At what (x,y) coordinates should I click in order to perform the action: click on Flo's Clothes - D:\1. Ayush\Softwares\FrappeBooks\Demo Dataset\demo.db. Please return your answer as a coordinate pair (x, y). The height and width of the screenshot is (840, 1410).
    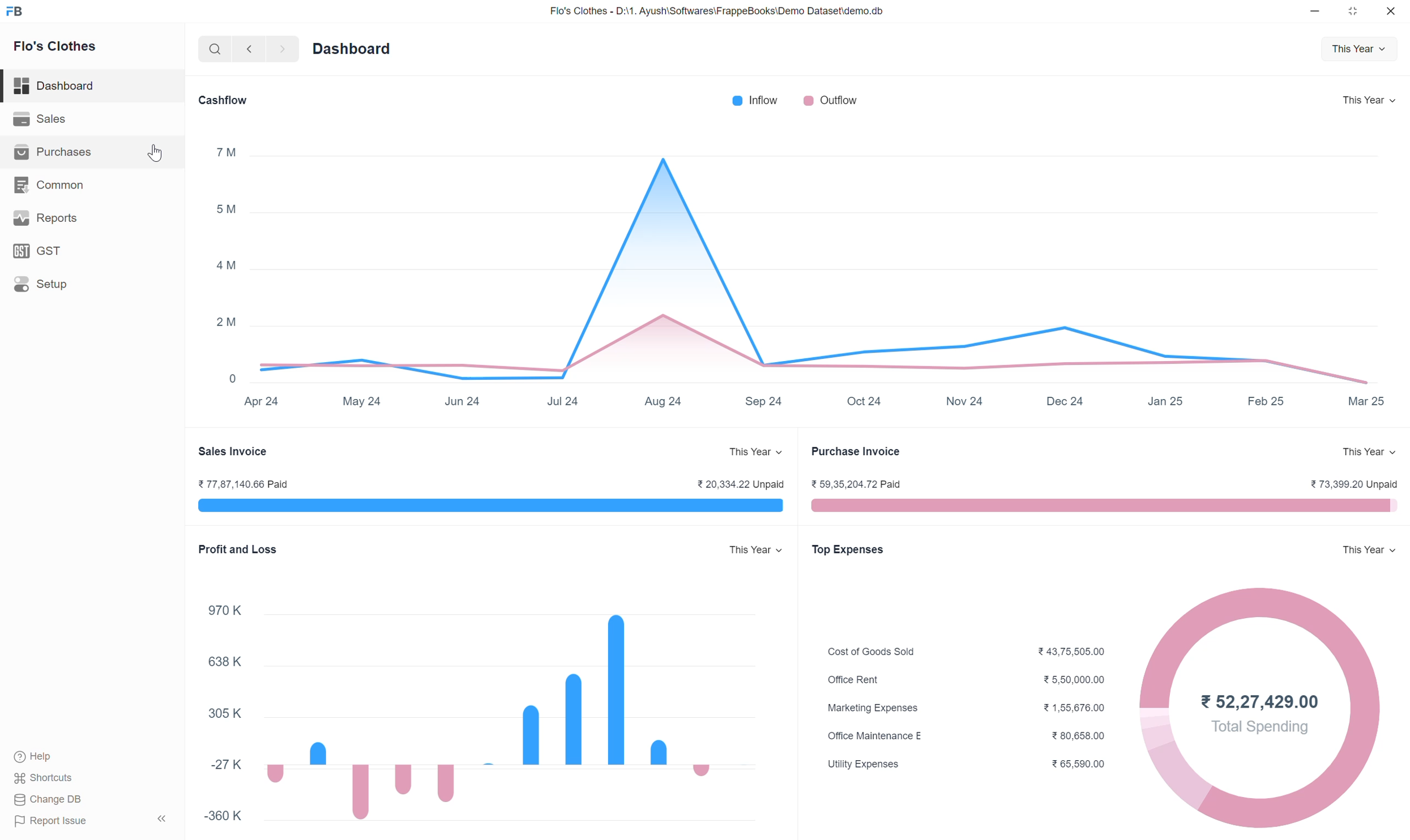
    Looking at the image, I should click on (716, 11).